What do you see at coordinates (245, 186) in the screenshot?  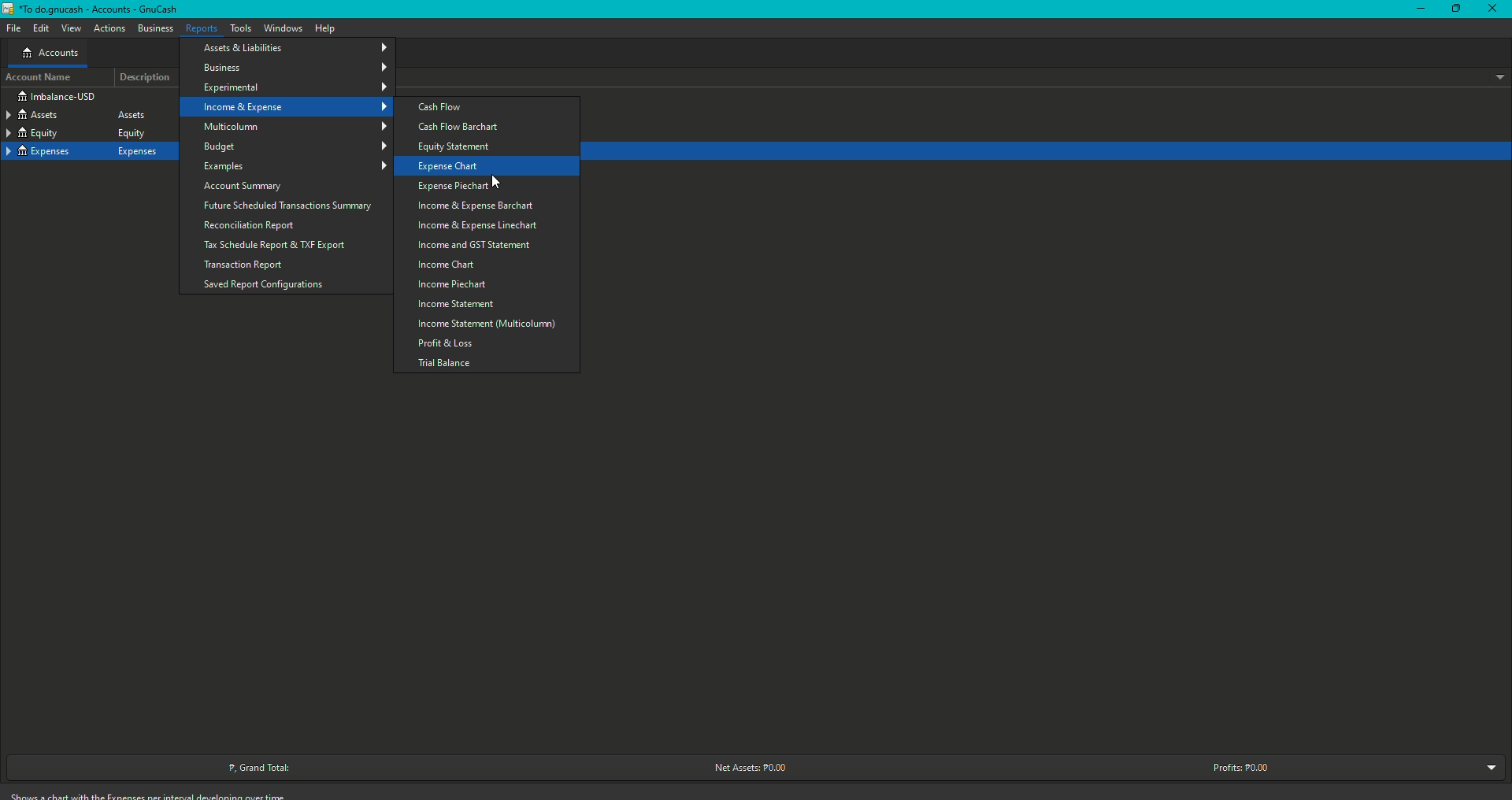 I see `Account Summary` at bounding box center [245, 186].